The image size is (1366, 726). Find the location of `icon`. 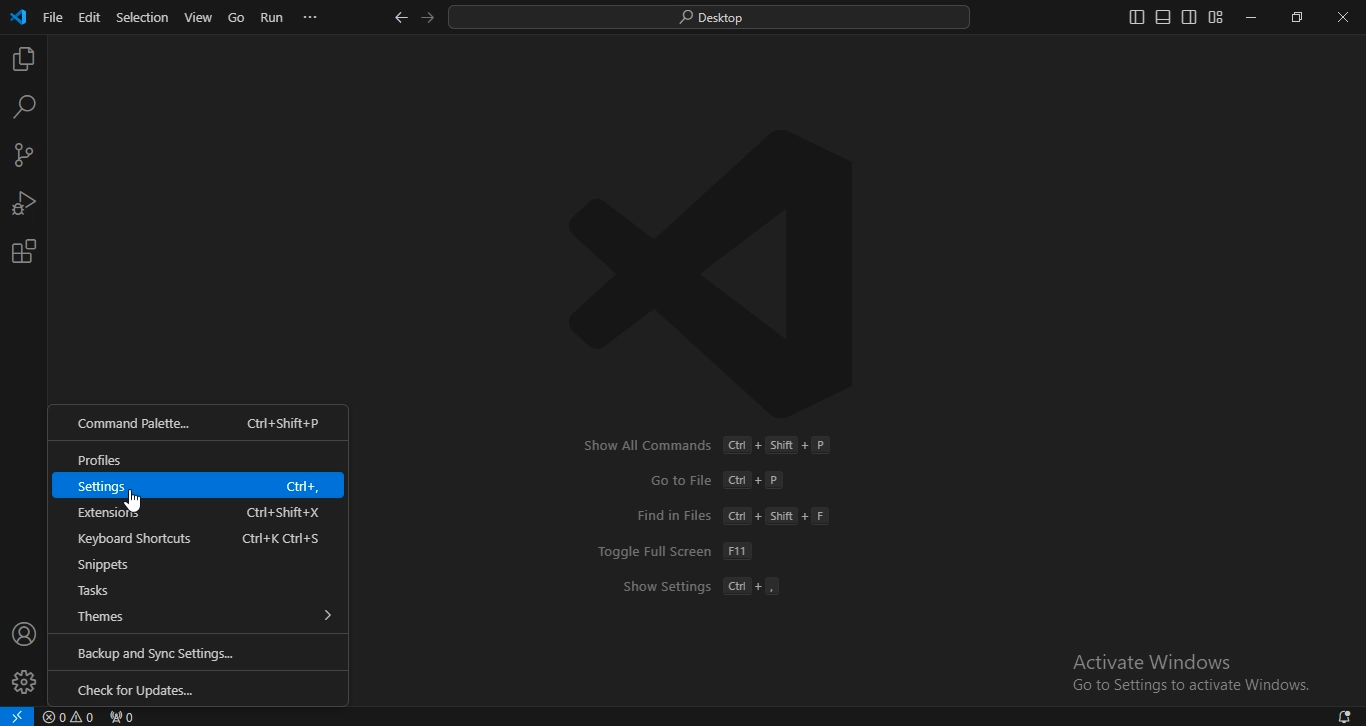

icon is located at coordinates (20, 19).